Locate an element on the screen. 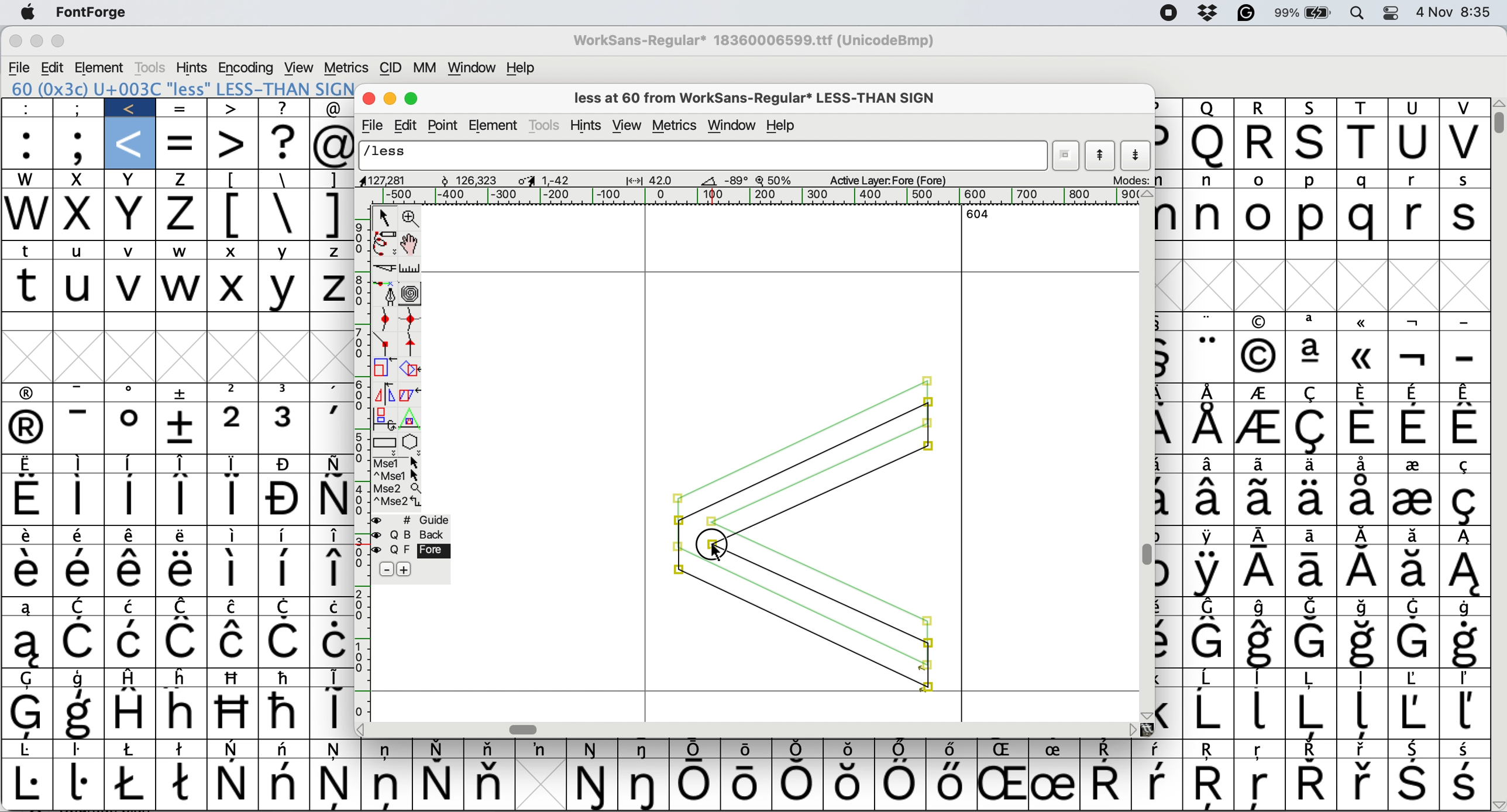 The height and width of the screenshot is (812, 1507). Symbol is located at coordinates (1003, 750).